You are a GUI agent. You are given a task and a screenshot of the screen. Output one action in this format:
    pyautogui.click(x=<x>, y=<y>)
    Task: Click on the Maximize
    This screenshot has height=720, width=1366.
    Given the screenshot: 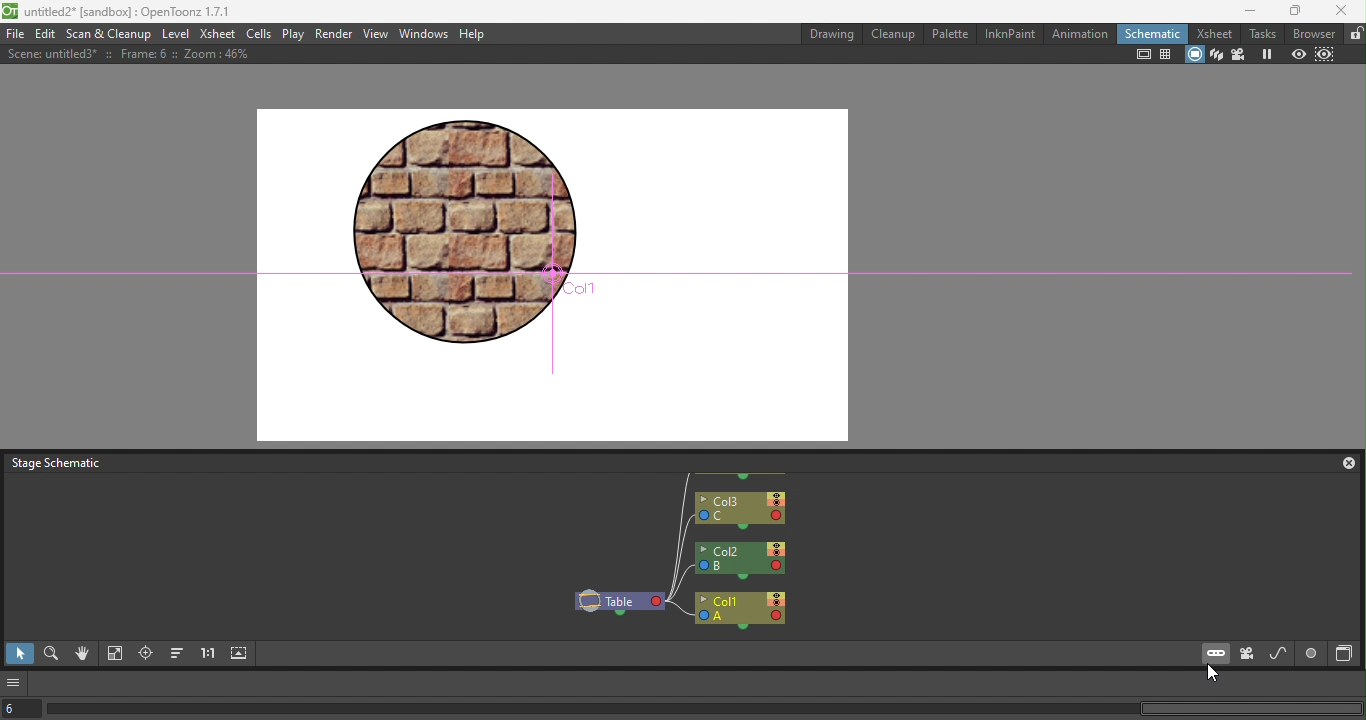 What is the action you would take?
    pyautogui.click(x=1288, y=10)
    